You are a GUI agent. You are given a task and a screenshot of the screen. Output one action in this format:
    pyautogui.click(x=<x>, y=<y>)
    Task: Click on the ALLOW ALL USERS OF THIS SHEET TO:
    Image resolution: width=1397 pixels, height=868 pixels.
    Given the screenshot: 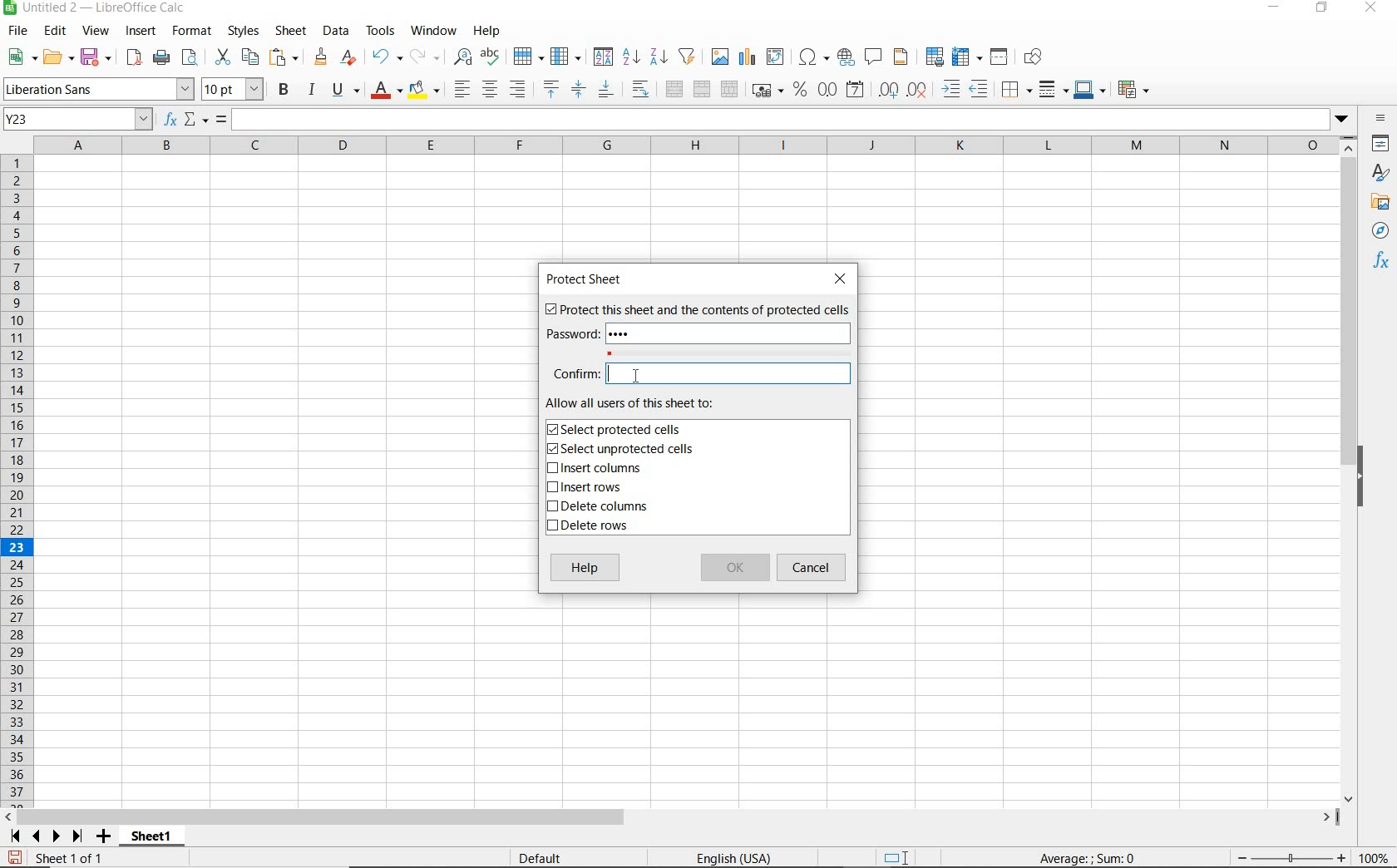 What is the action you would take?
    pyautogui.click(x=647, y=403)
    